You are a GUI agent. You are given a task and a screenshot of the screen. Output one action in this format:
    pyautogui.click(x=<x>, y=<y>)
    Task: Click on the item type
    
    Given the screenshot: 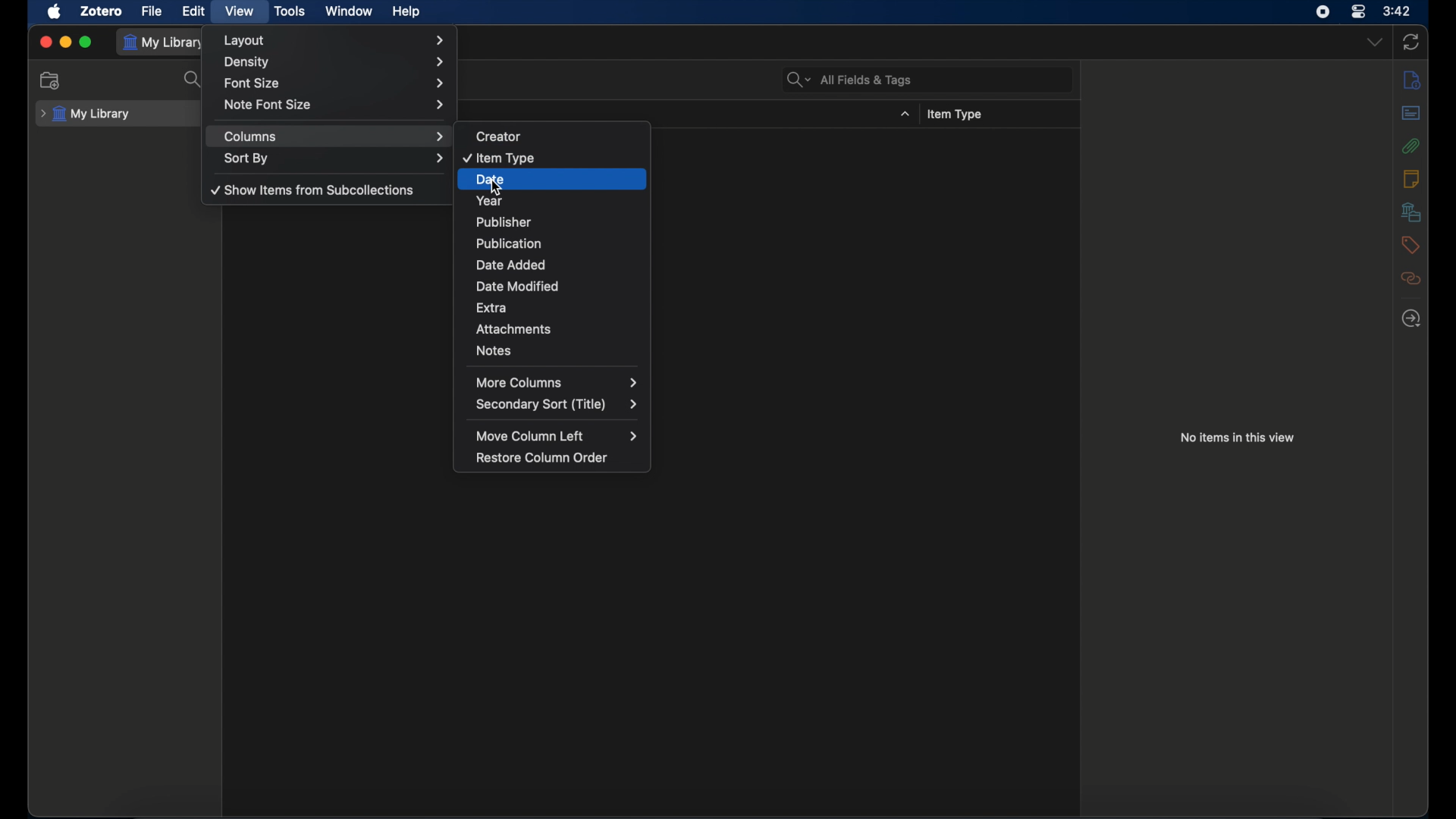 What is the action you would take?
    pyautogui.click(x=956, y=114)
    